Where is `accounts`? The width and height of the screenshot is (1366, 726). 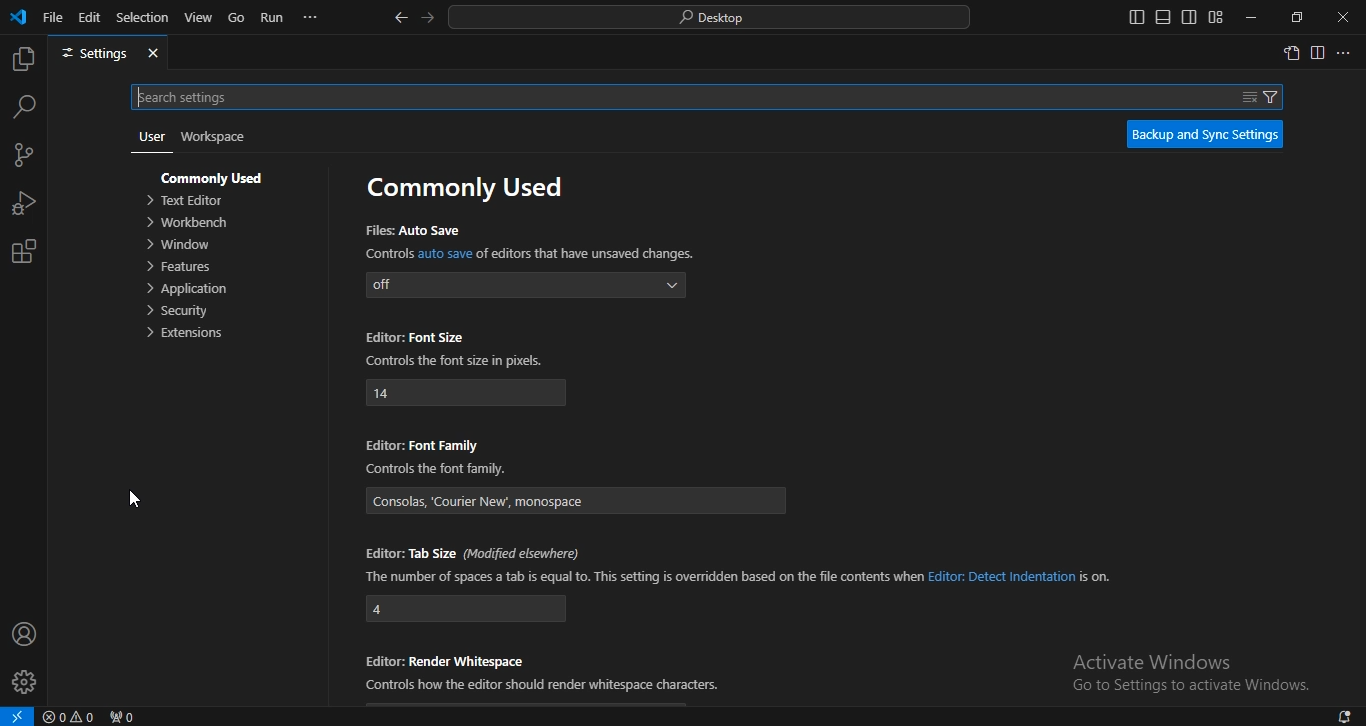 accounts is located at coordinates (23, 634).